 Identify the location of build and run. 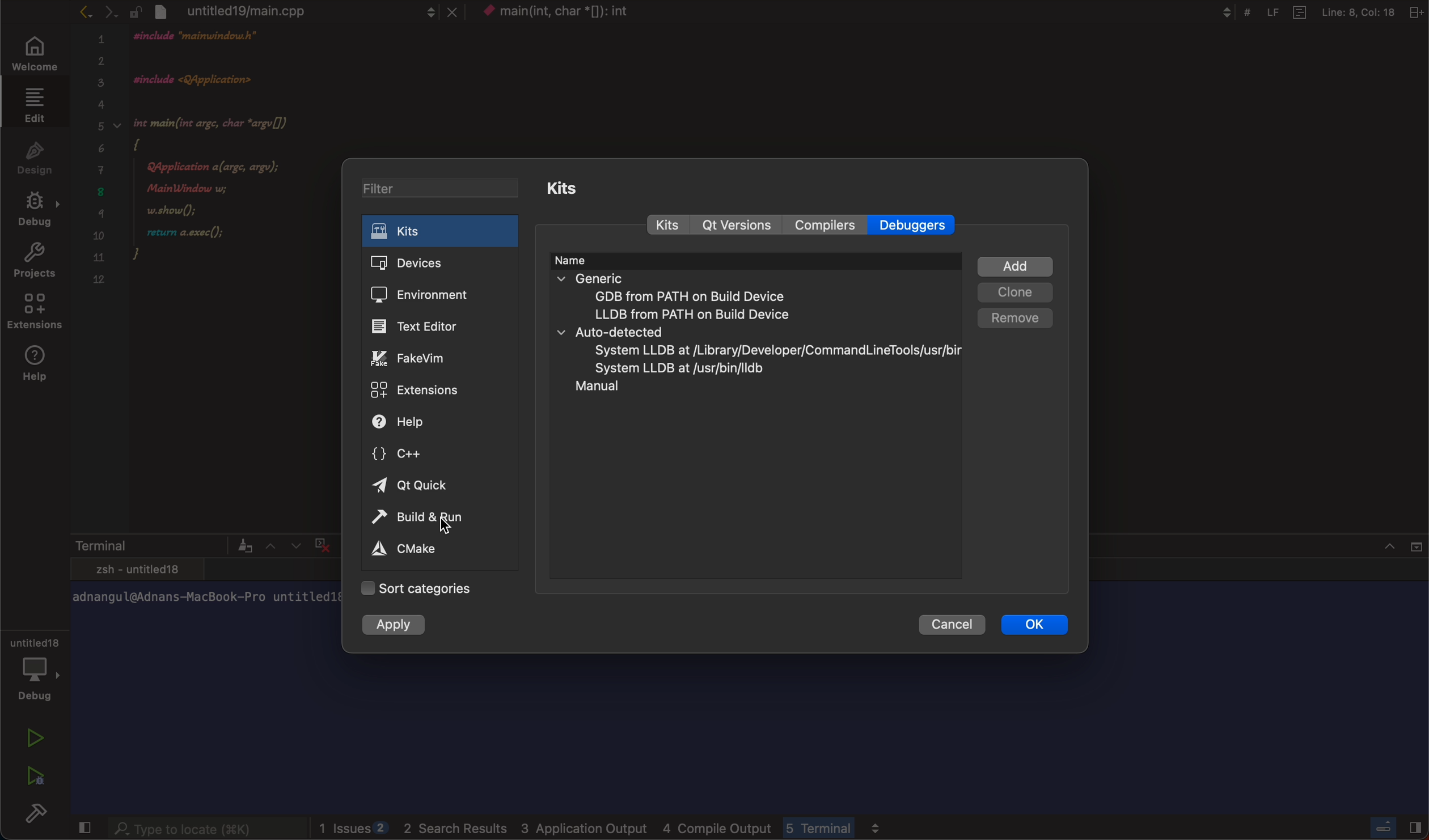
(416, 519).